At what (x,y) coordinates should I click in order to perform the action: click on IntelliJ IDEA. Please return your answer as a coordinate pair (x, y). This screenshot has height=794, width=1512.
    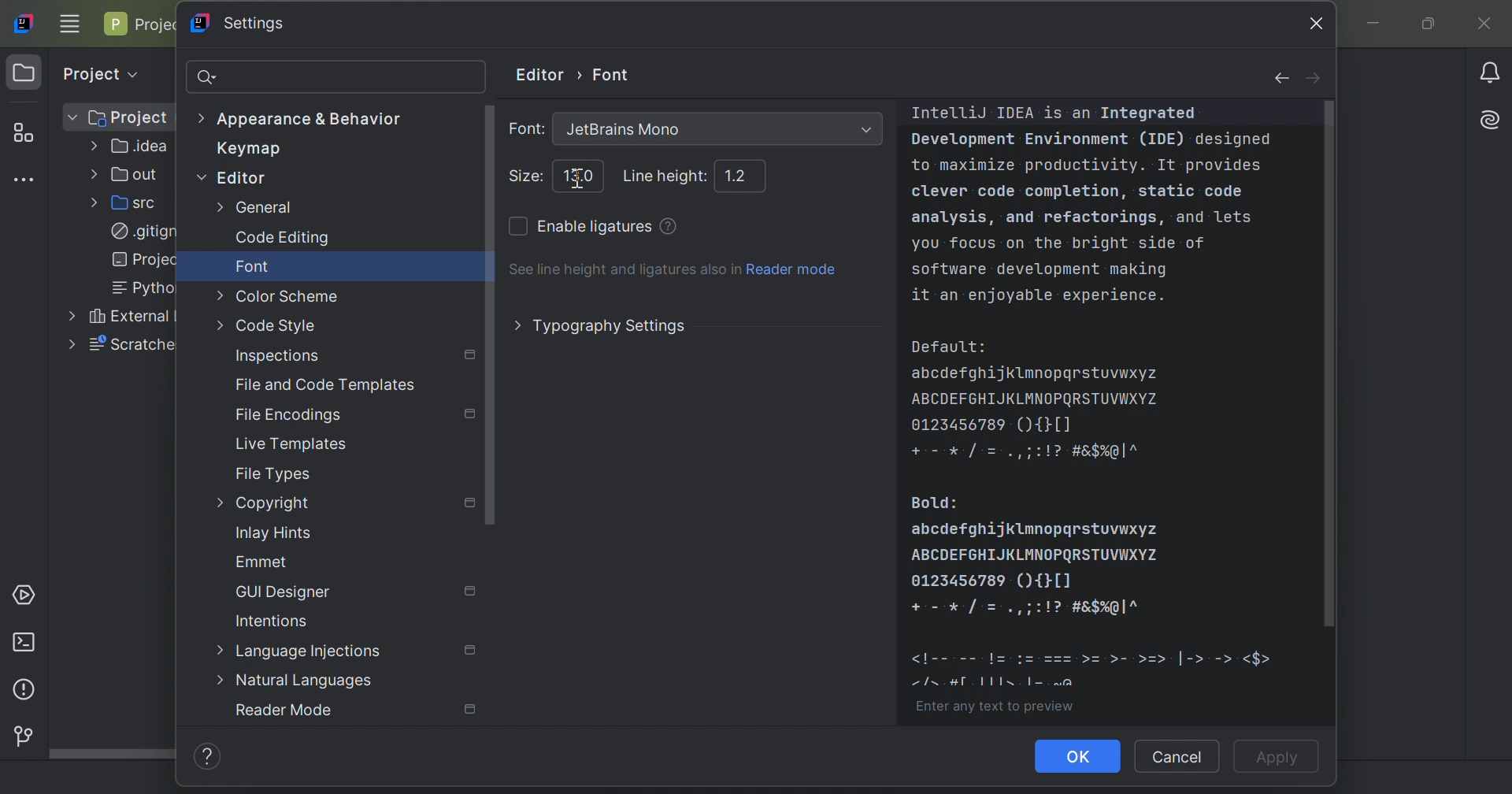
    Looking at the image, I should click on (1054, 113).